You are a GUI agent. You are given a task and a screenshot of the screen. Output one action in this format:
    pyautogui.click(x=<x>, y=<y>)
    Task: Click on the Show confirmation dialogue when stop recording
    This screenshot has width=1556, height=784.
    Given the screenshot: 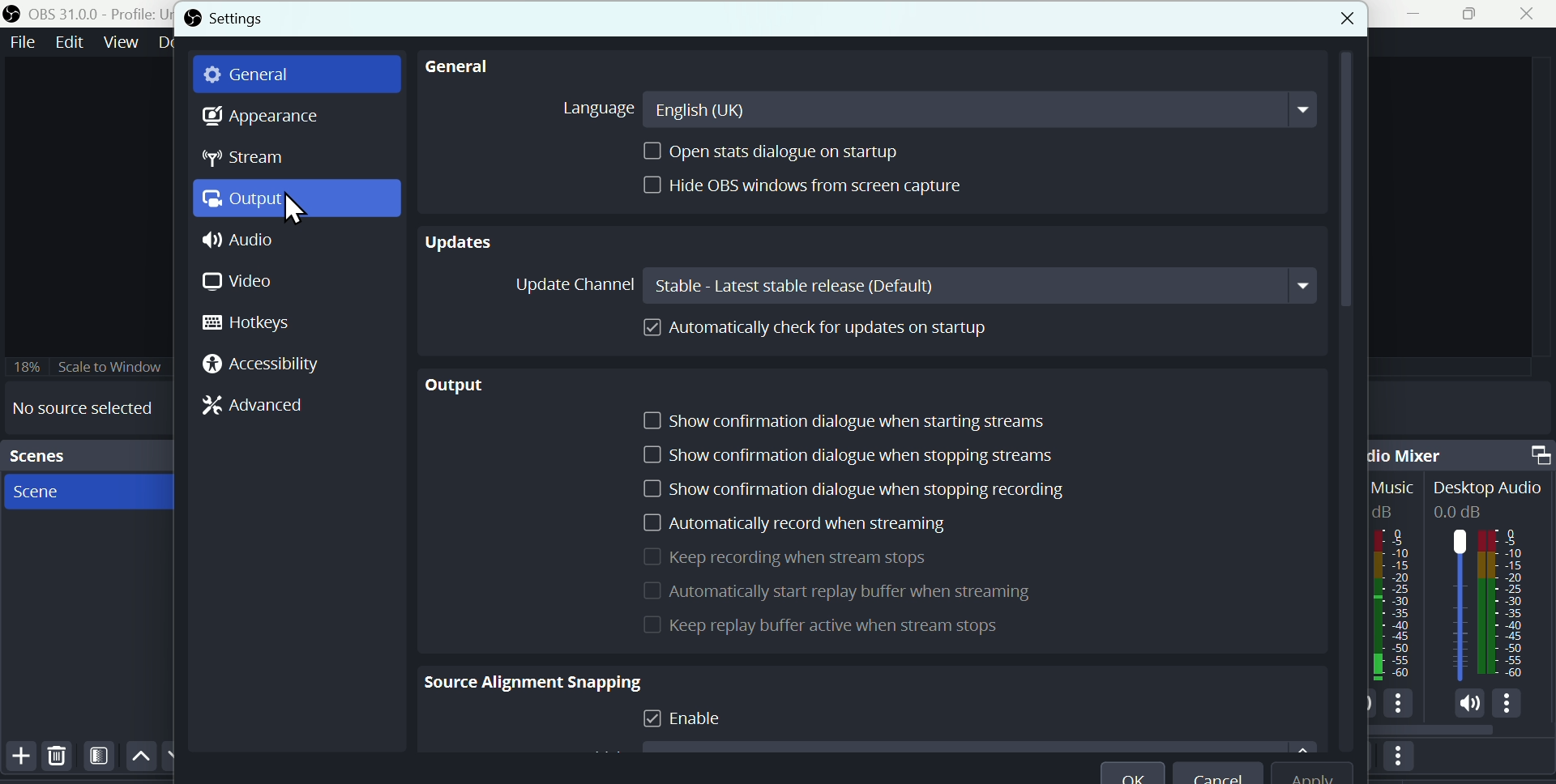 What is the action you would take?
    pyautogui.click(x=860, y=488)
    